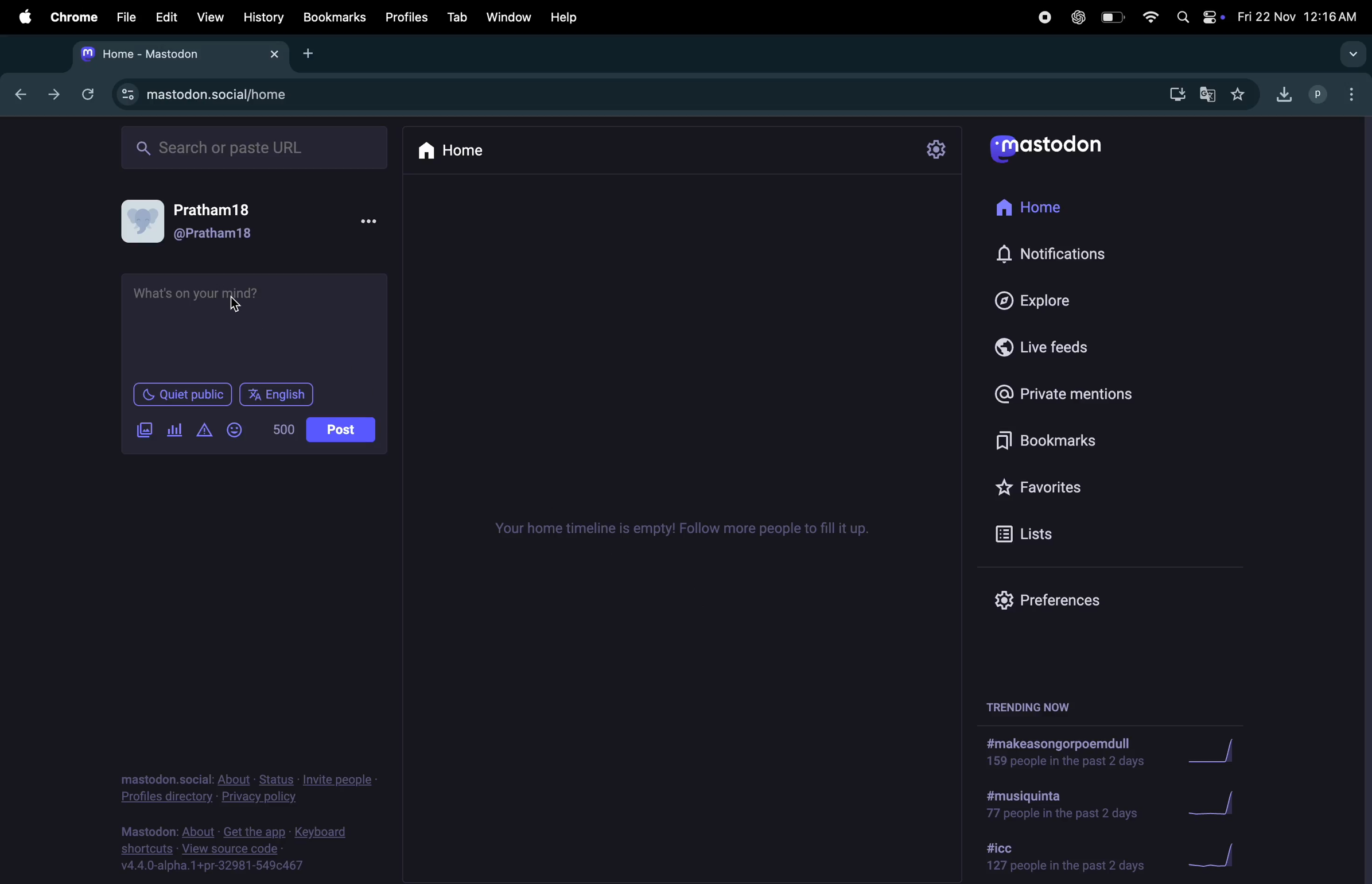  What do you see at coordinates (1048, 485) in the screenshot?
I see `favourites` at bounding box center [1048, 485].